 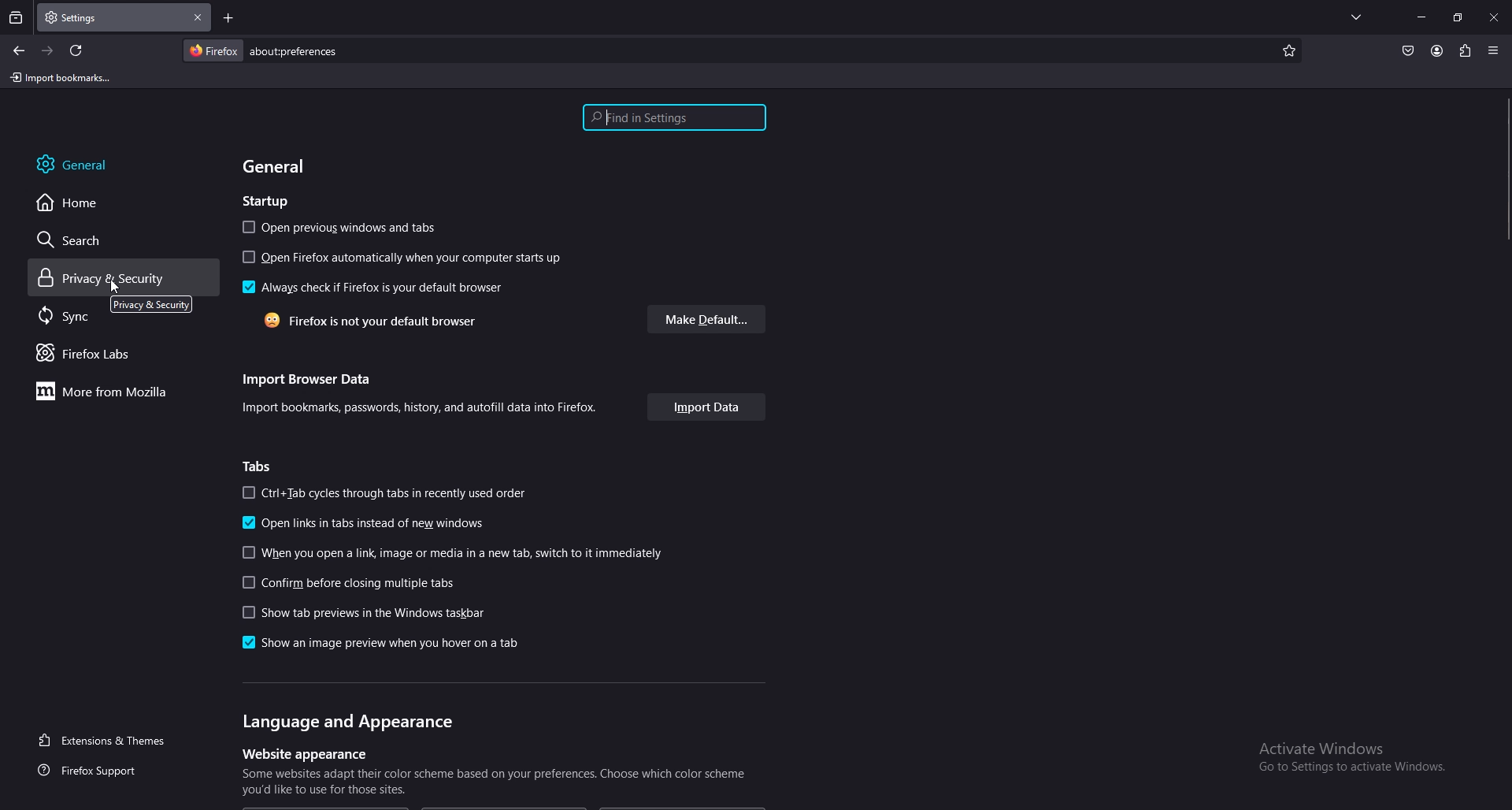 What do you see at coordinates (384, 643) in the screenshot?
I see `show as an image preview` at bounding box center [384, 643].